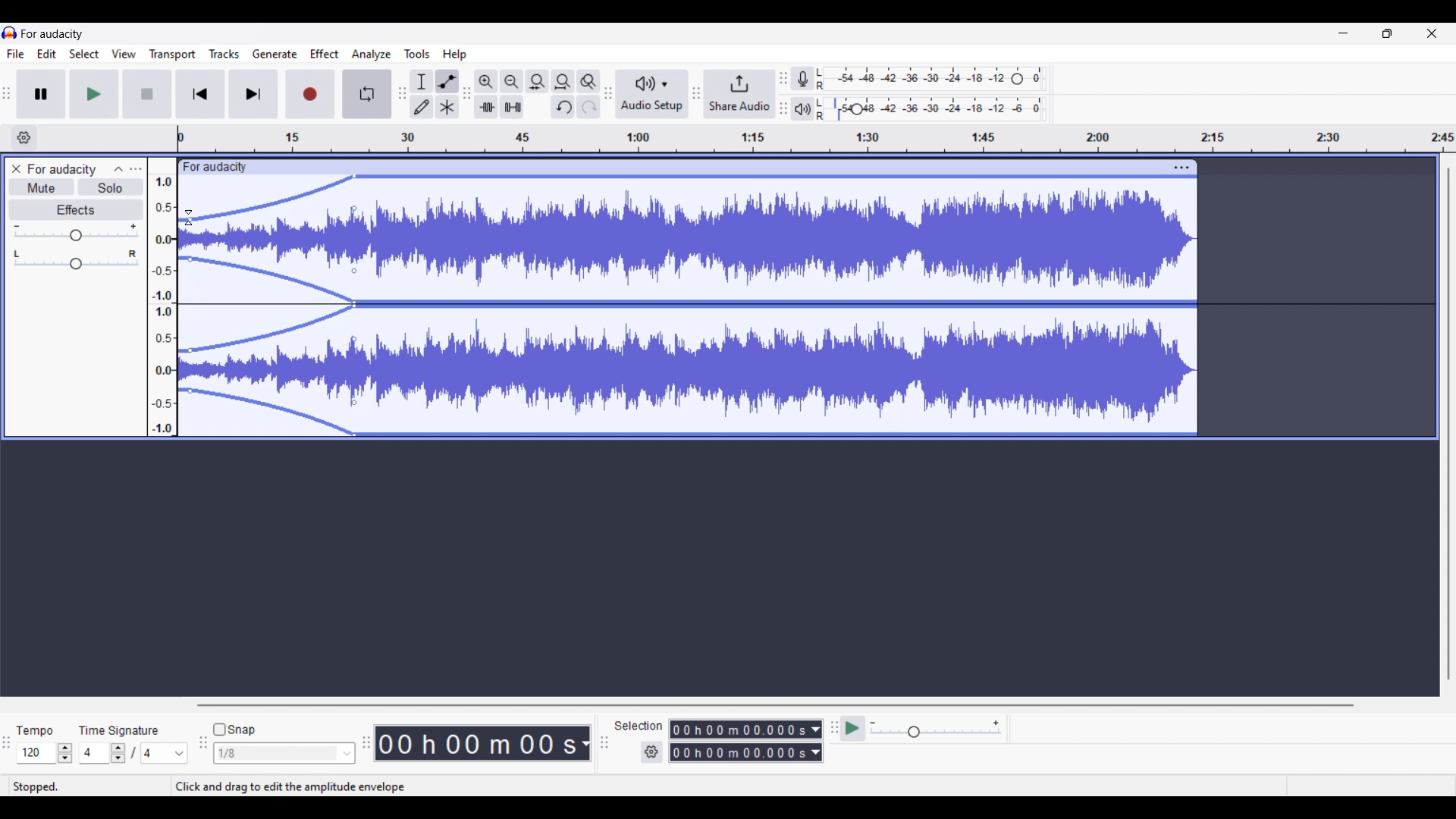  I want to click on Effect, so click(325, 53).